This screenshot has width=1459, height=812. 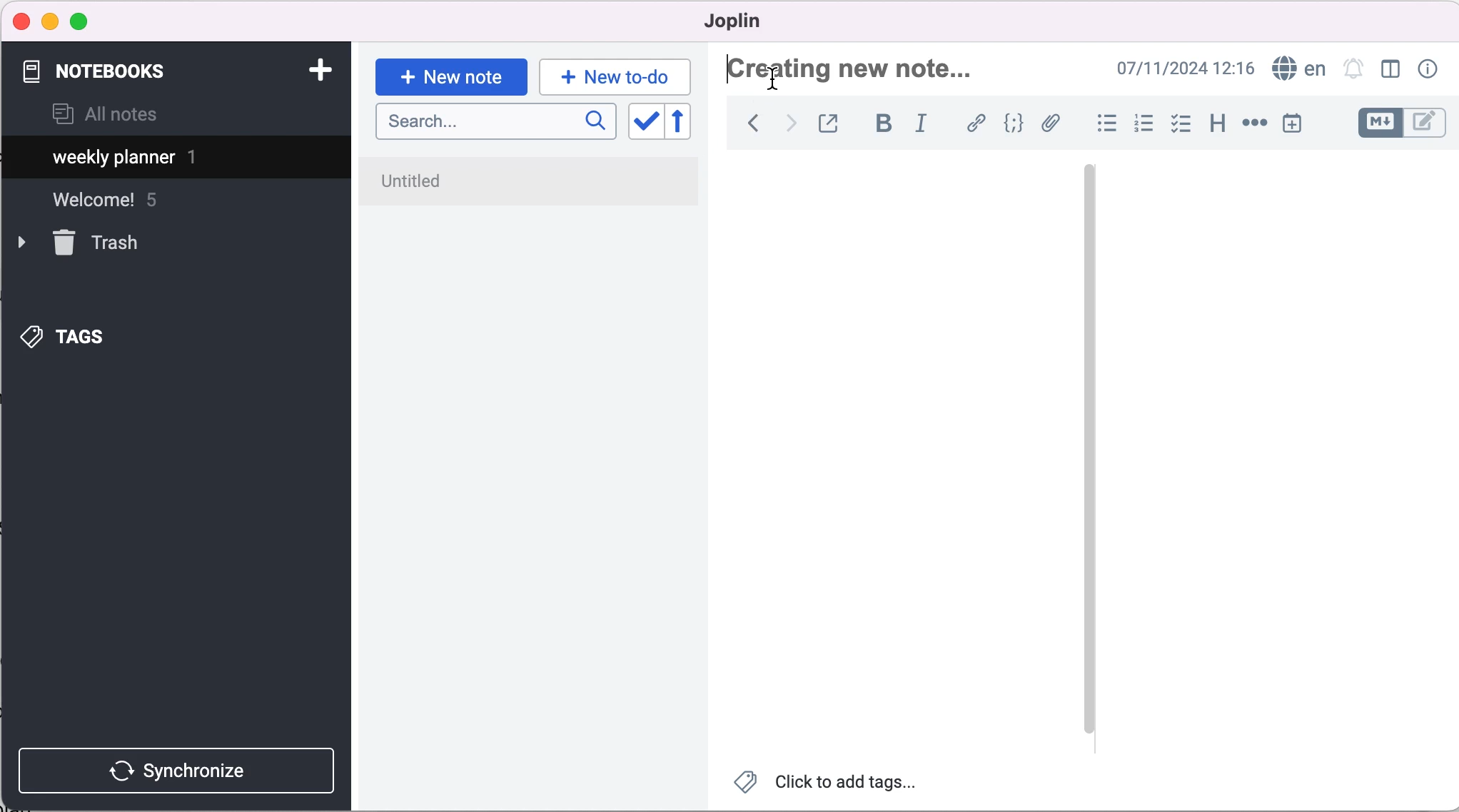 I want to click on hyperlink, so click(x=977, y=126).